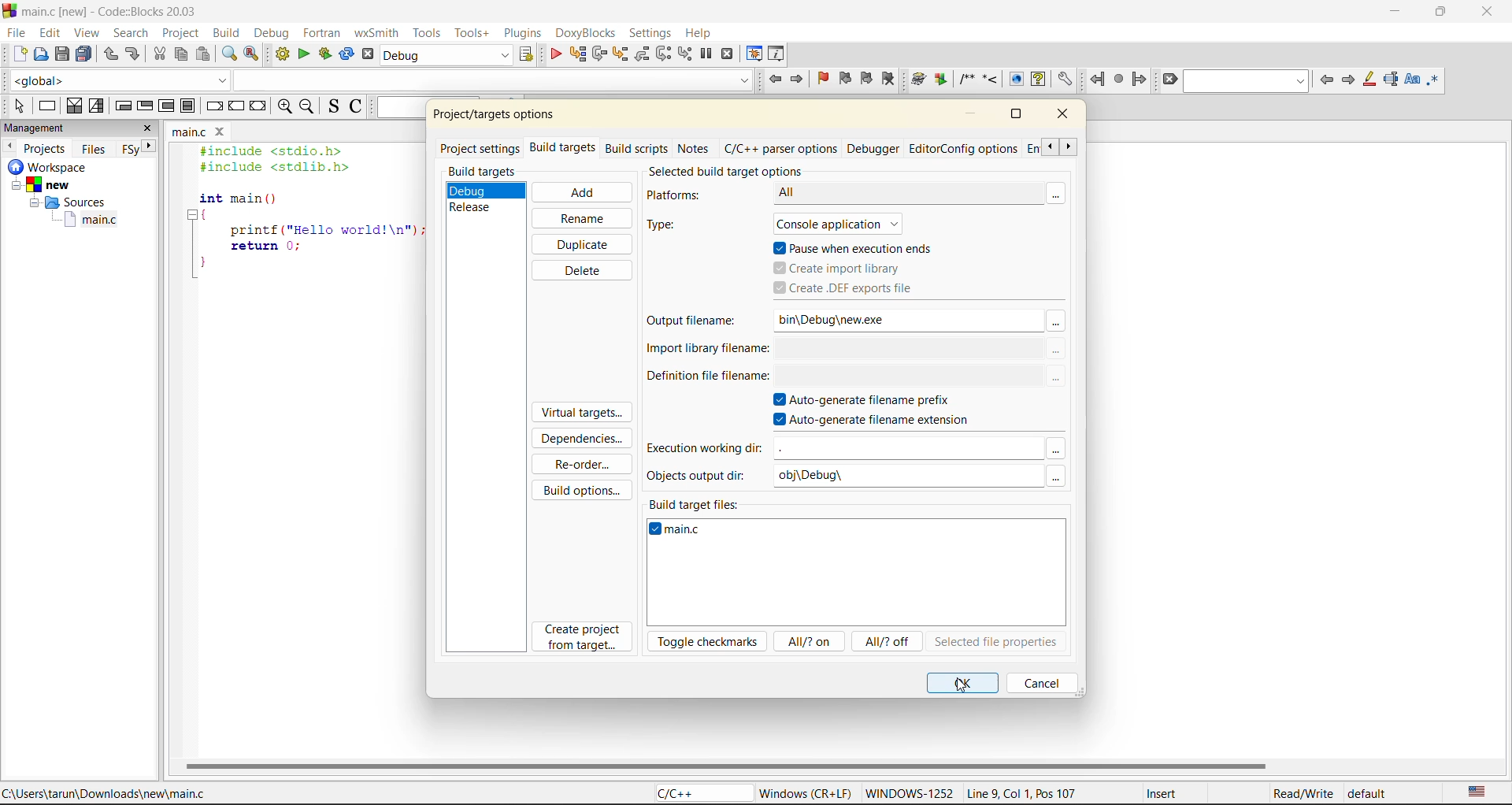  Describe the element at coordinates (1401, 13) in the screenshot. I see `minimize` at that location.